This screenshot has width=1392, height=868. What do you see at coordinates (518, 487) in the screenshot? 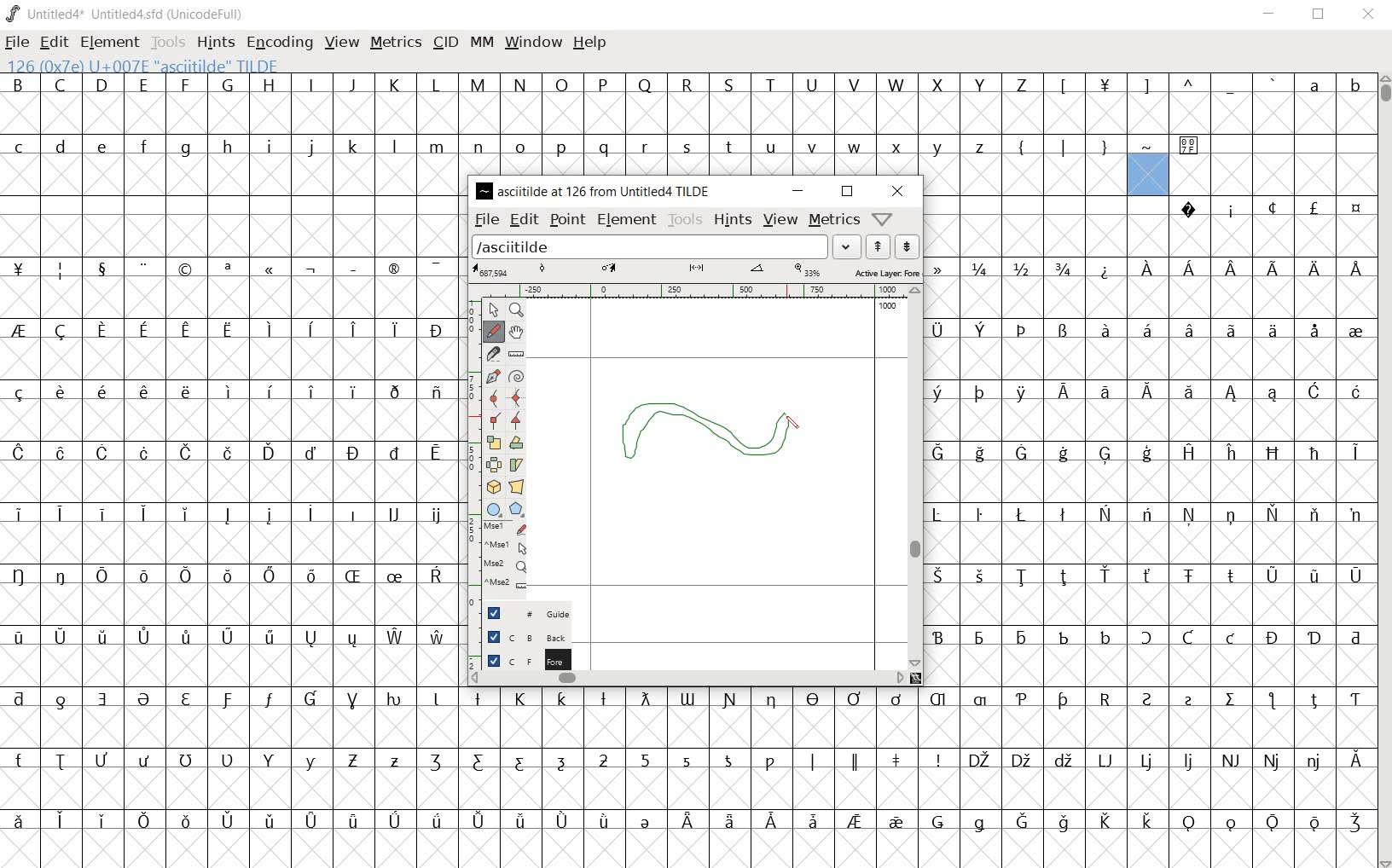
I see `perform a perspective transformation on the selection` at bounding box center [518, 487].